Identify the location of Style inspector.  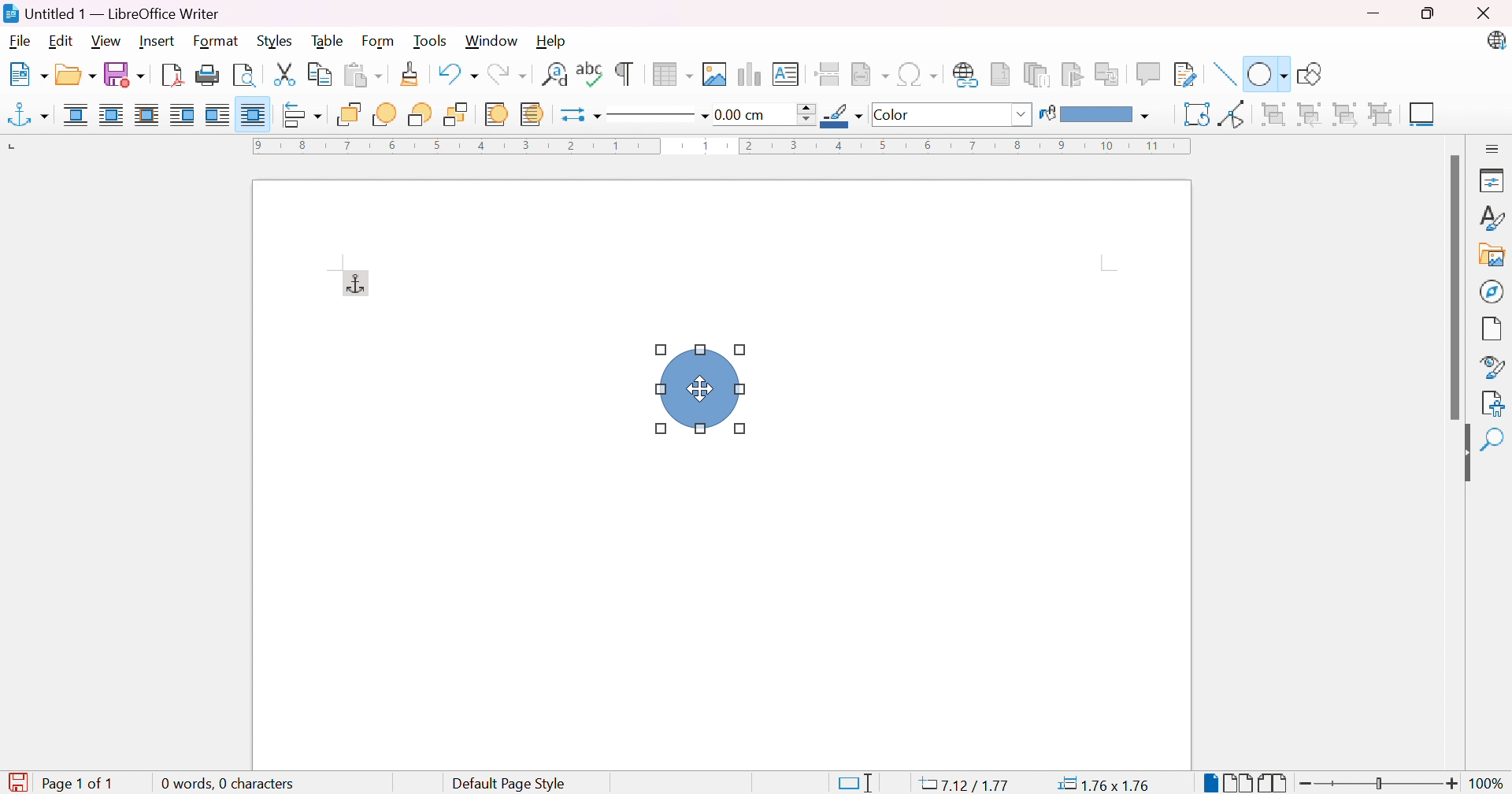
(1494, 368).